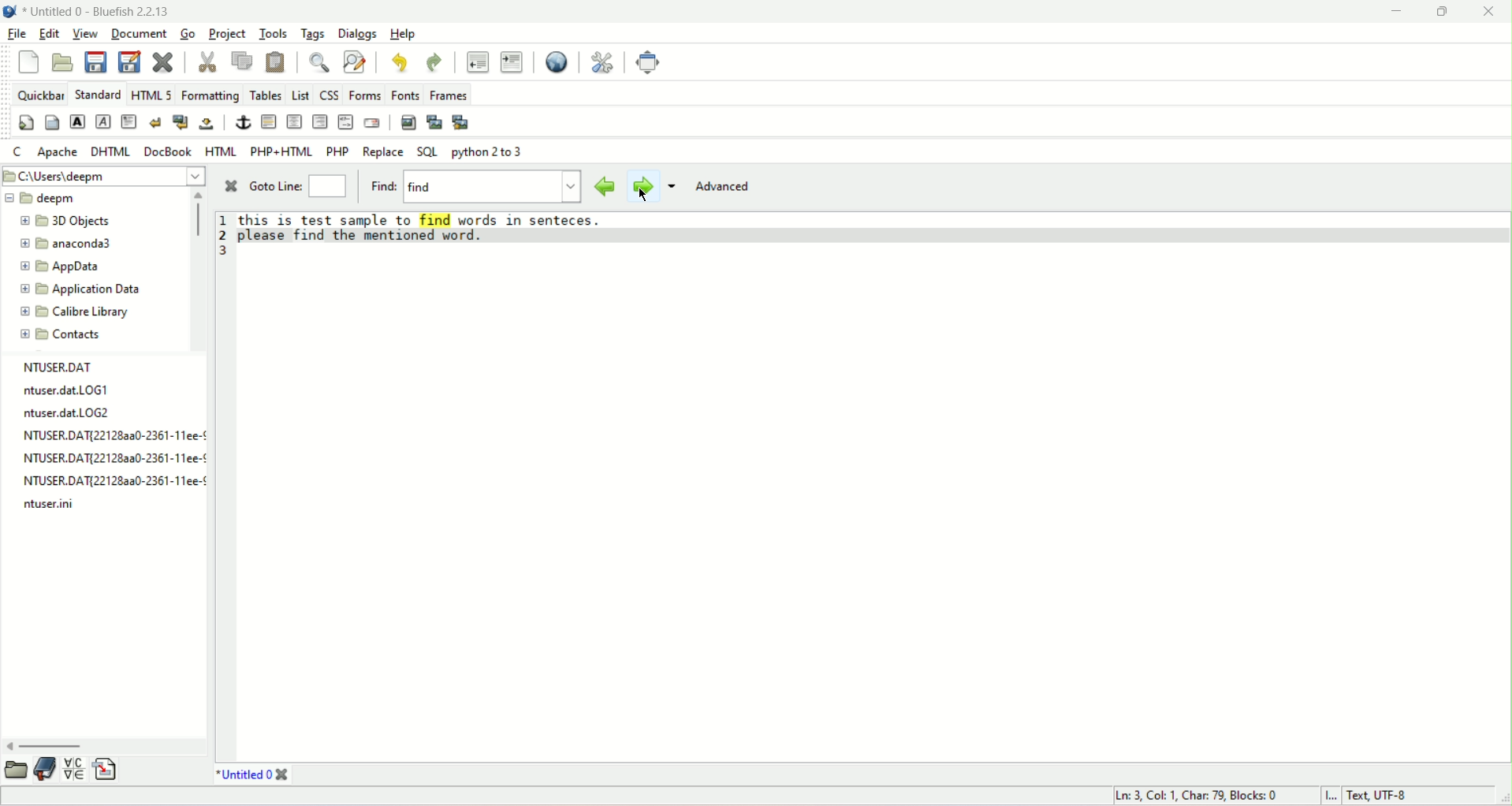 This screenshot has width=1512, height=806. What do you see at coordinates (872, 506) in the screenshot?
I see `workspace` at bounding box center [872, 506].